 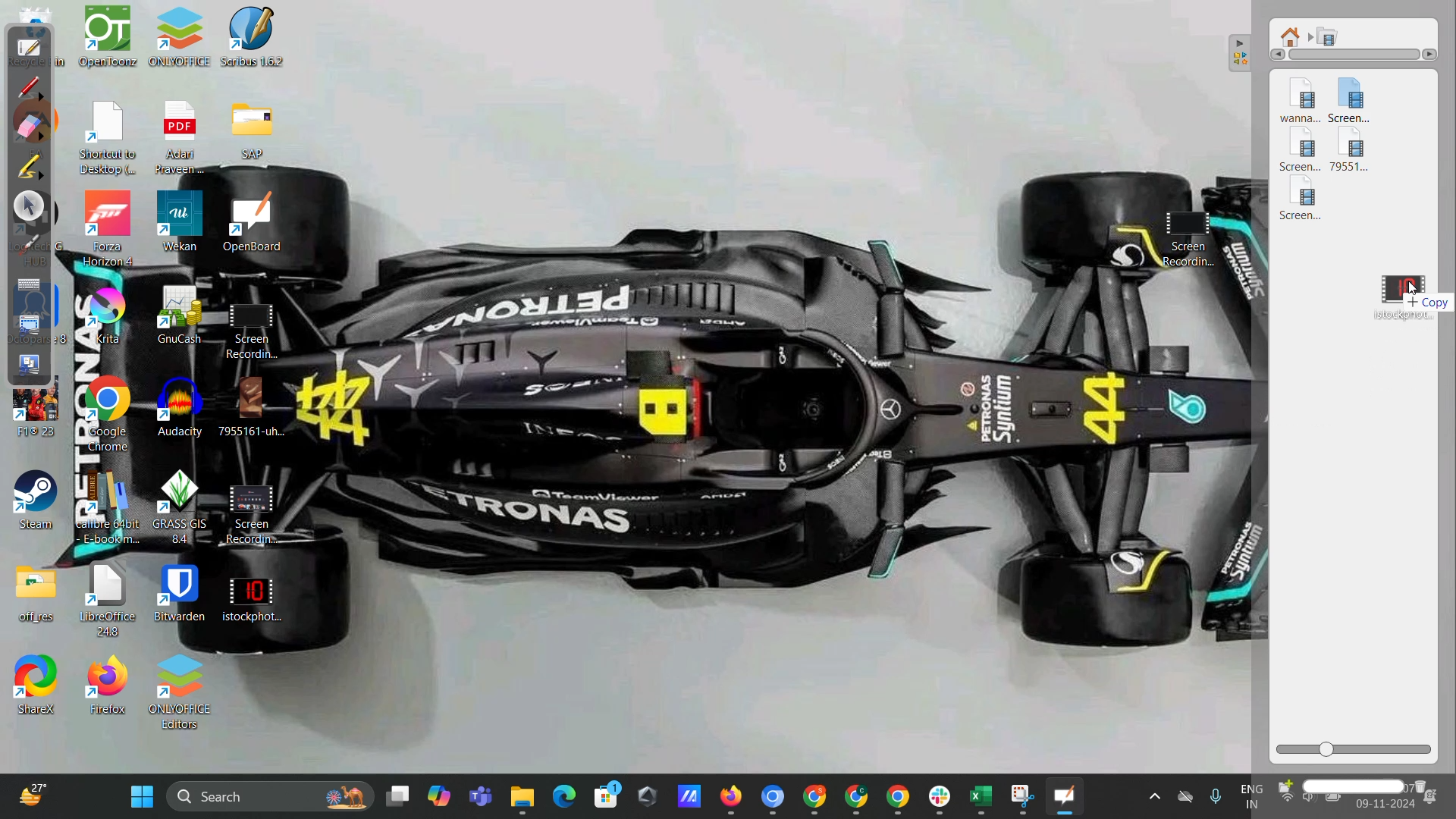 What do you see at coordinates (109, 229) in the screenshot?
I see `Forza Horizon 4` at bounding box center [109, 229].